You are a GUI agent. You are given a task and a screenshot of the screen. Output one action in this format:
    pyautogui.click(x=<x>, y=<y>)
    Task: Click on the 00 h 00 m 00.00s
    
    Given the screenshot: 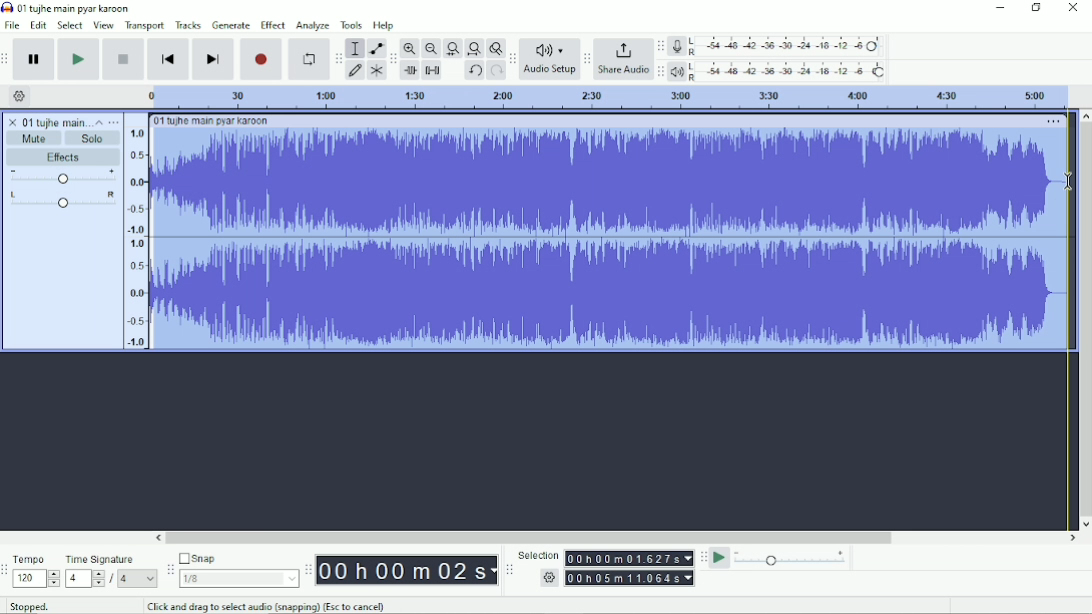 What is the action you would take?
    pyautogui.click(x=630, y=558)
    